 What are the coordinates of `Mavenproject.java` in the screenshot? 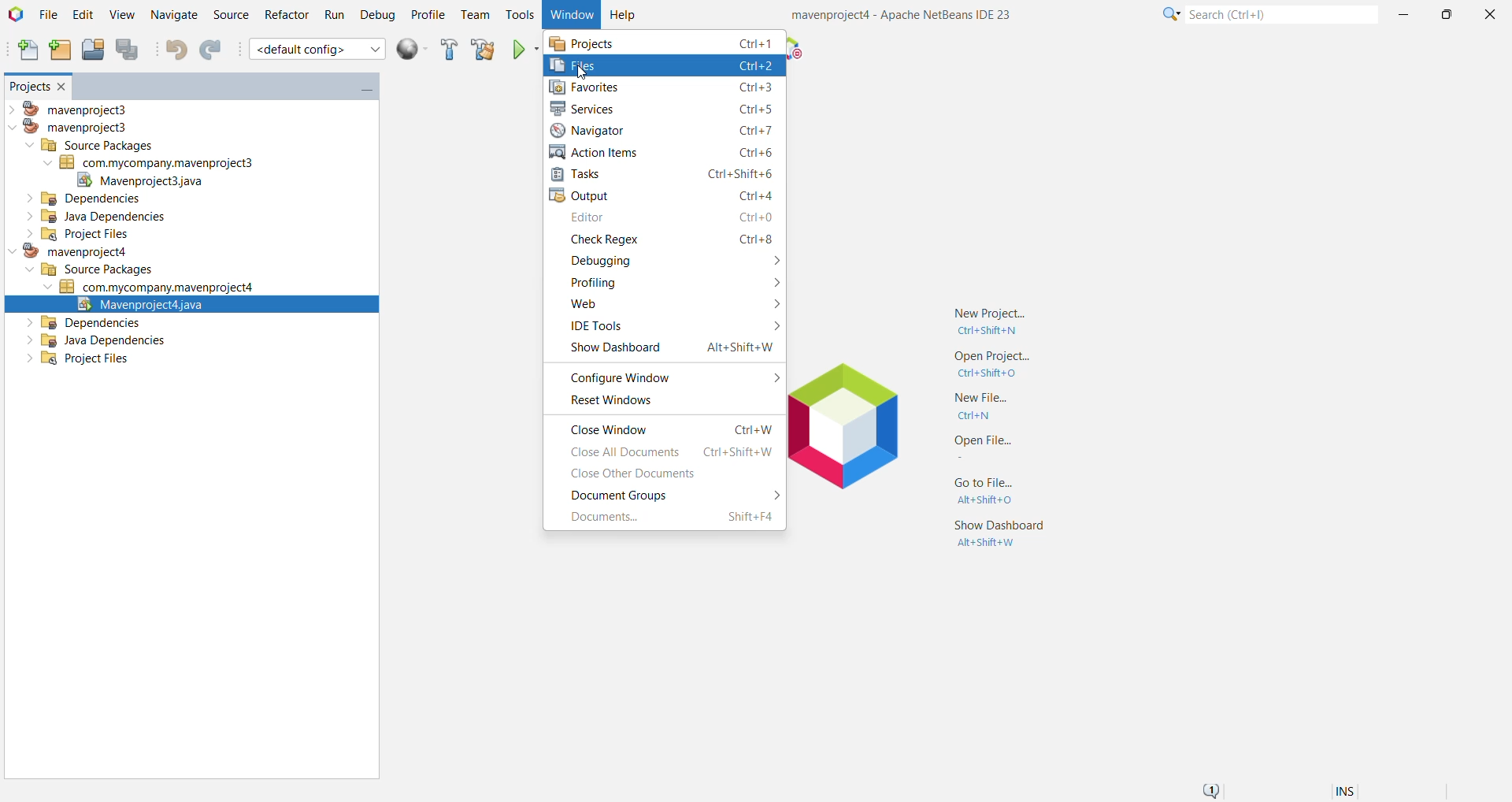 It's located at (141, 180).